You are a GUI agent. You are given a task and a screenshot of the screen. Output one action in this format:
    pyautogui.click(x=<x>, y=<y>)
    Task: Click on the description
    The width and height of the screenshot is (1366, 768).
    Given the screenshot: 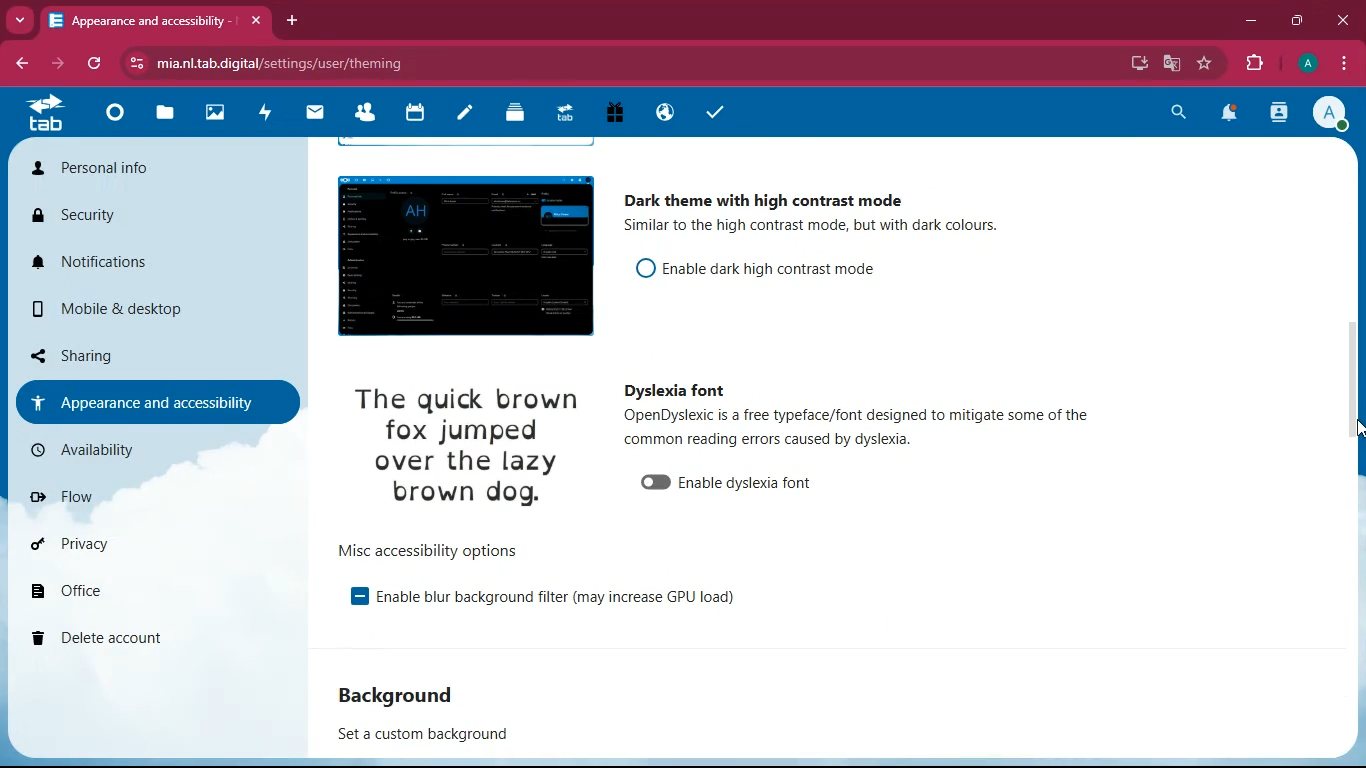 What is the action you would take?
    pyautogui.click(x=857, y=430)
    